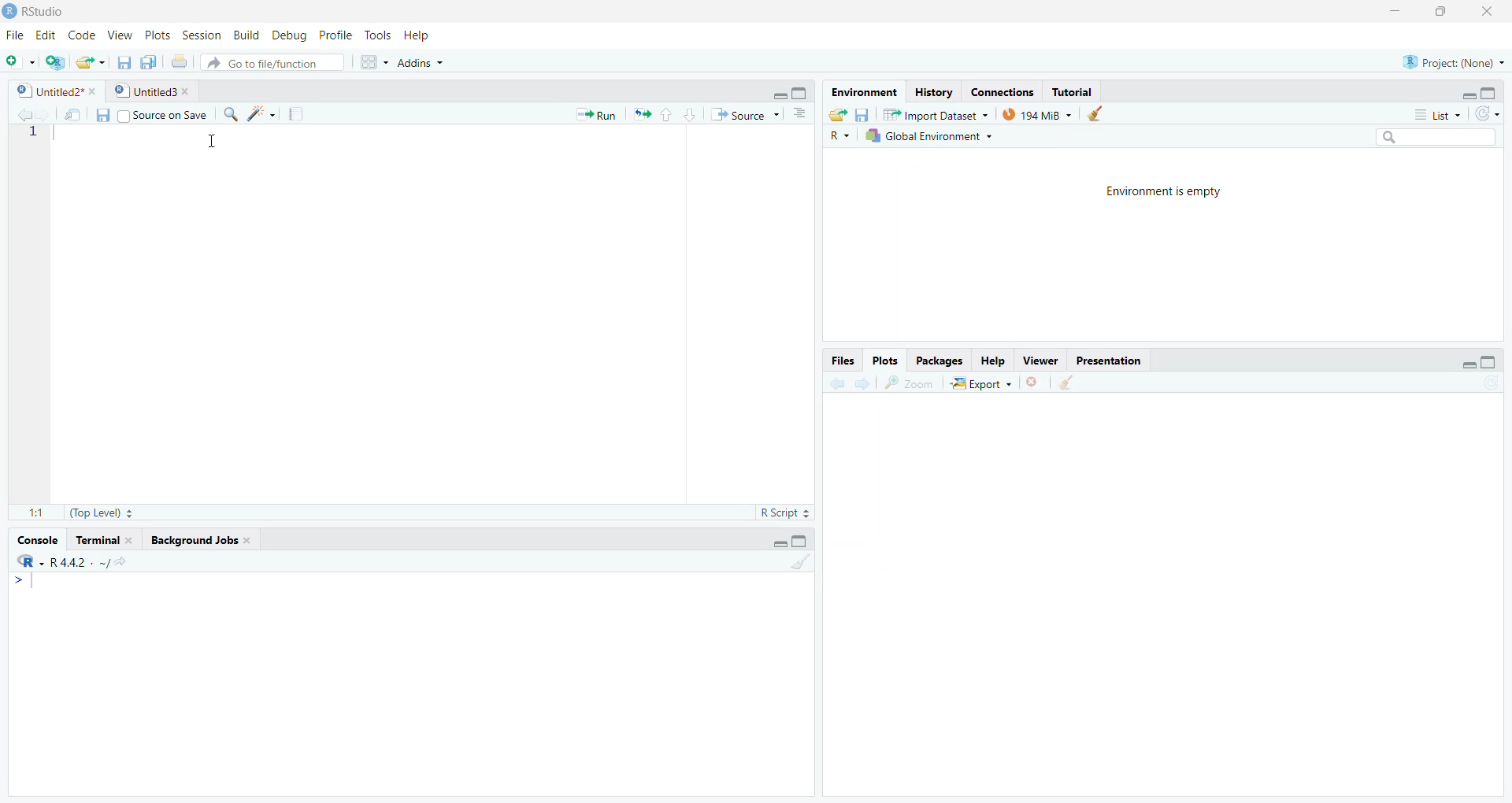 The image size is (1512, 803). What do you see at coordinates (150, 61) in the screenshot?
I see `save all documents` at bounding box center [150, 61].